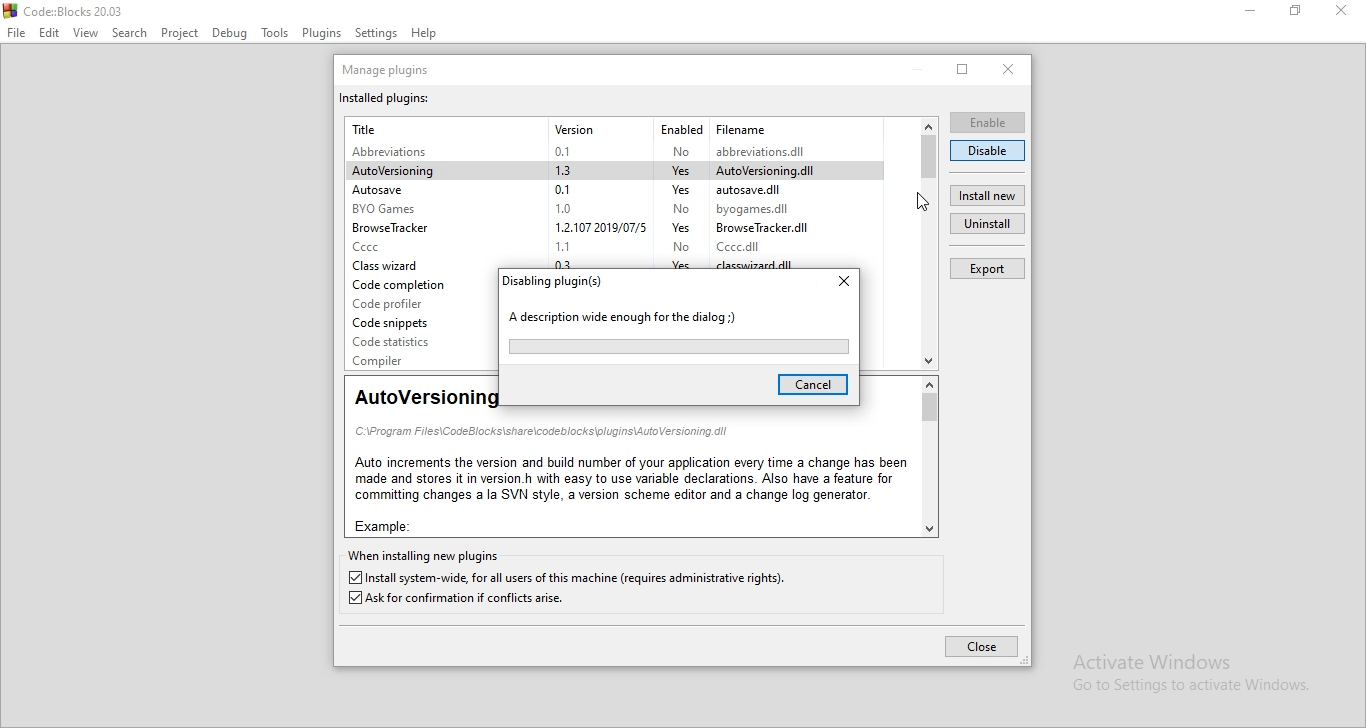  What do you see at coordinates (569, 263) in the screenshot?
I see `0.3` at bounding box center [569, 263].